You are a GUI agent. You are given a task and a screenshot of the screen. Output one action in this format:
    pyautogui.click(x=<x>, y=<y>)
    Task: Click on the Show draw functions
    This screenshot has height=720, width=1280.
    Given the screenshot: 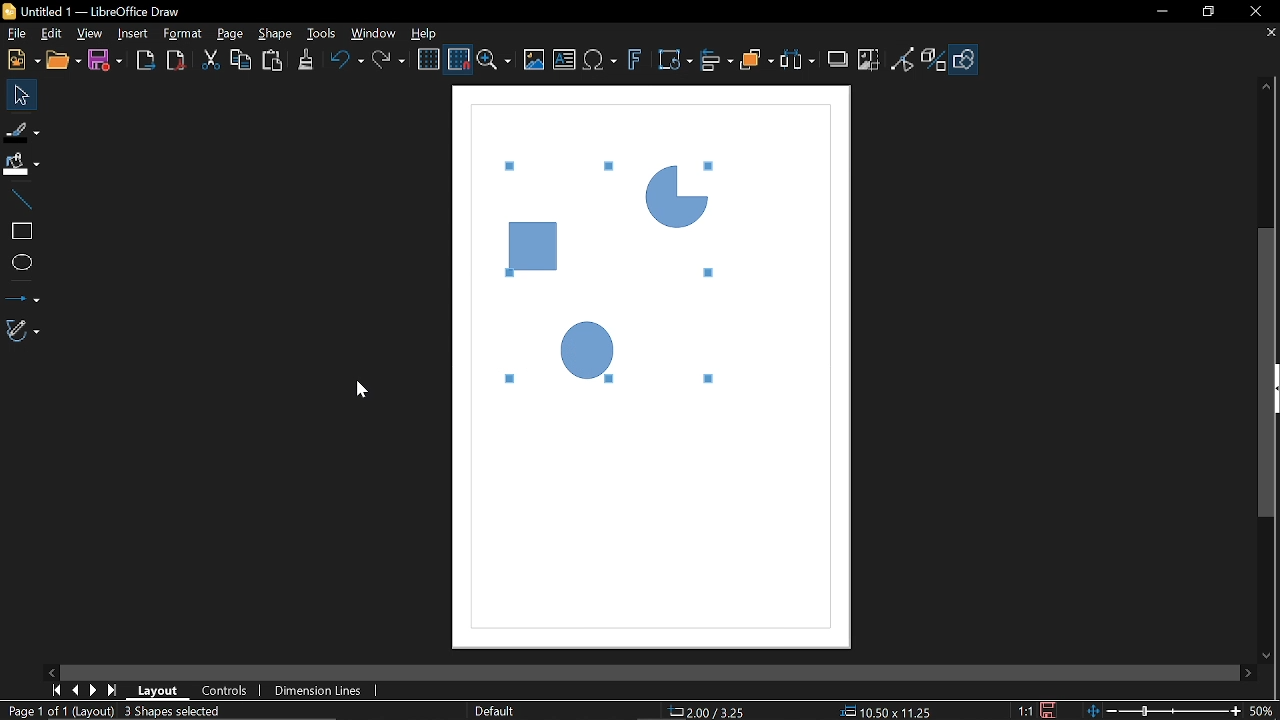 What is the action you would take?
    pyautogui.click(x=966, y=60)
    